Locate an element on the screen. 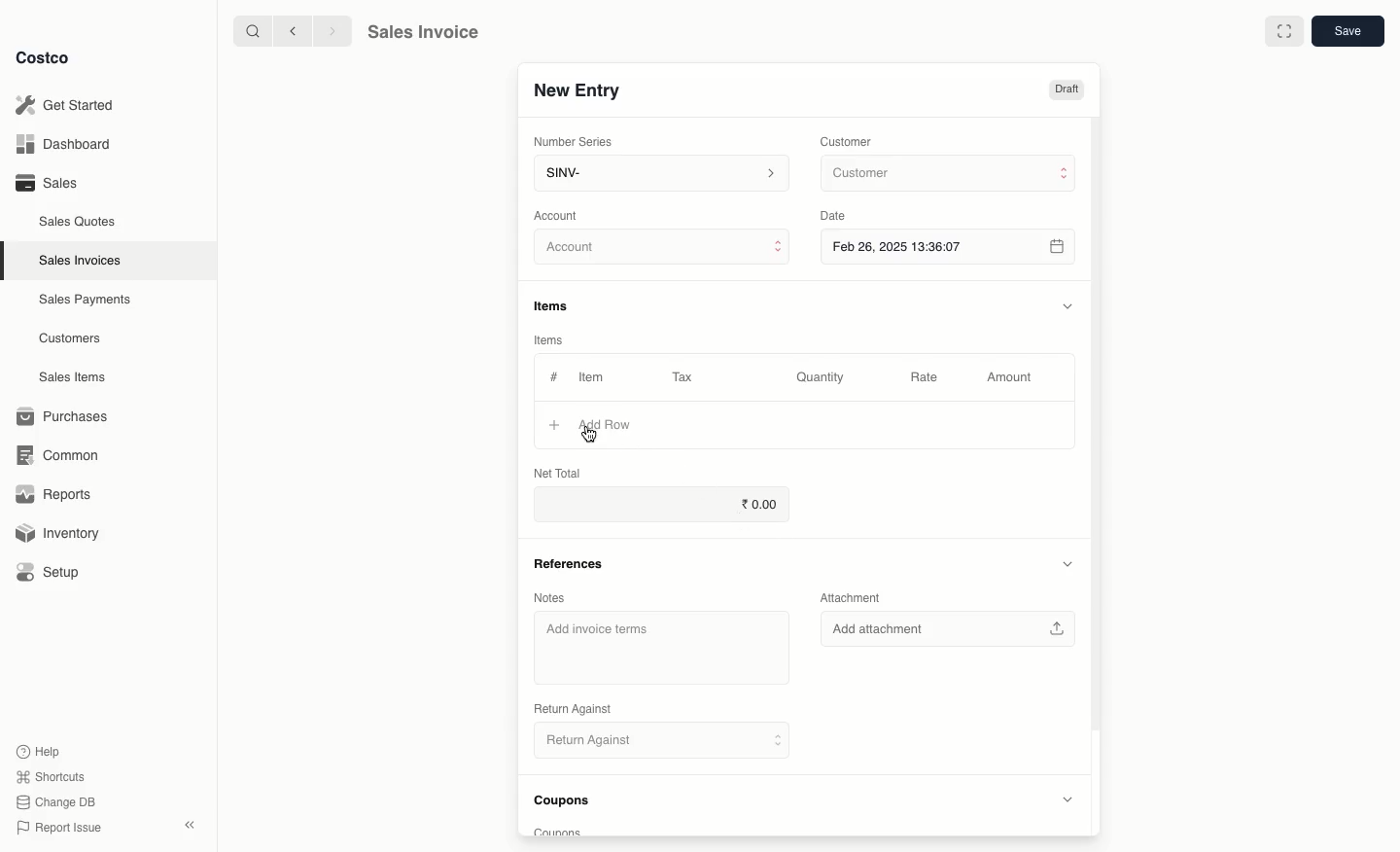 Image resolution: width=1400 pixels, height=852 pixels. Sales Quotes is located at coordinates (80, 221).